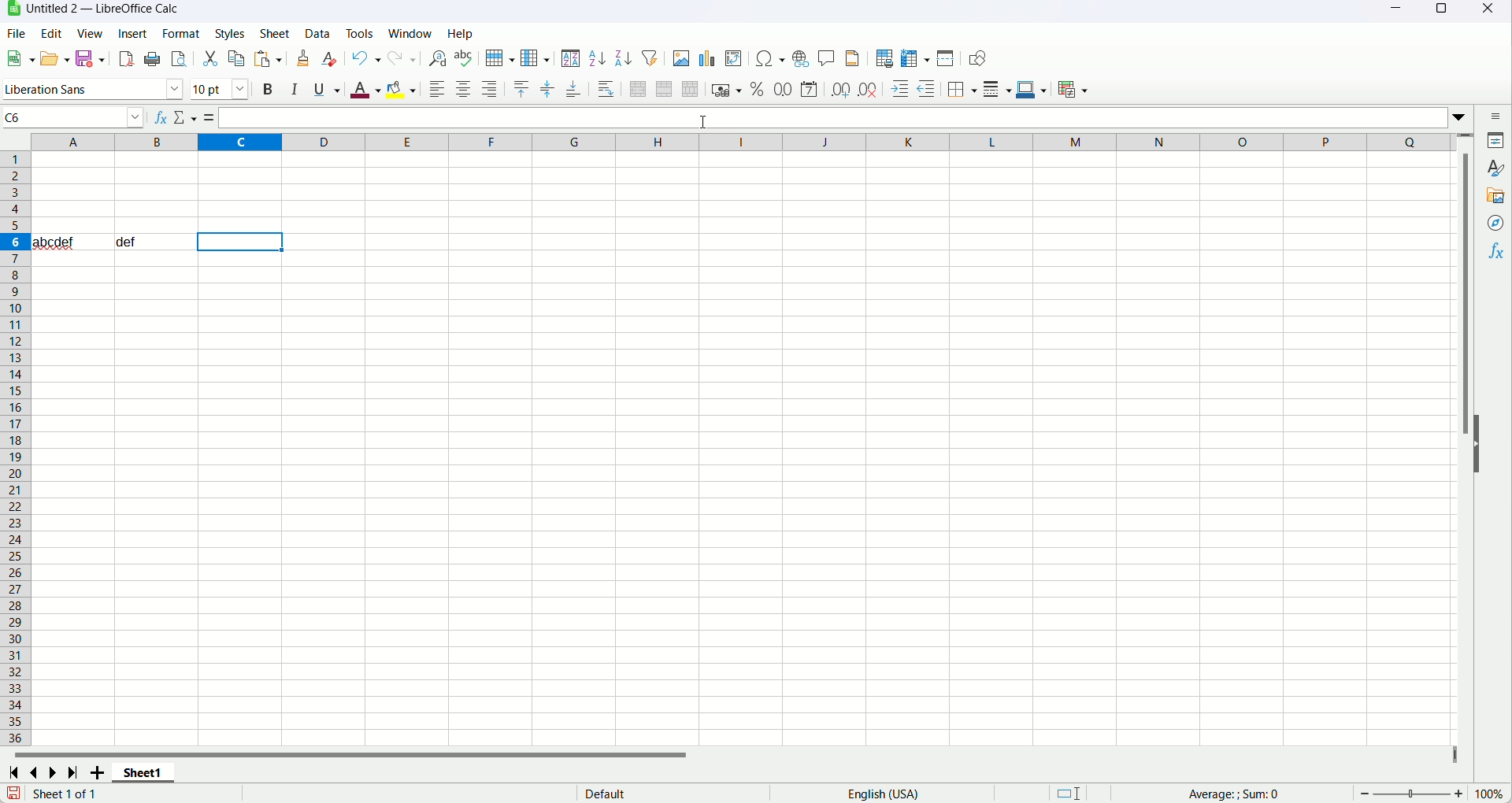 The width and height of the screenshot is (1512, 803). I want to click on insert image, so click(681, 58).